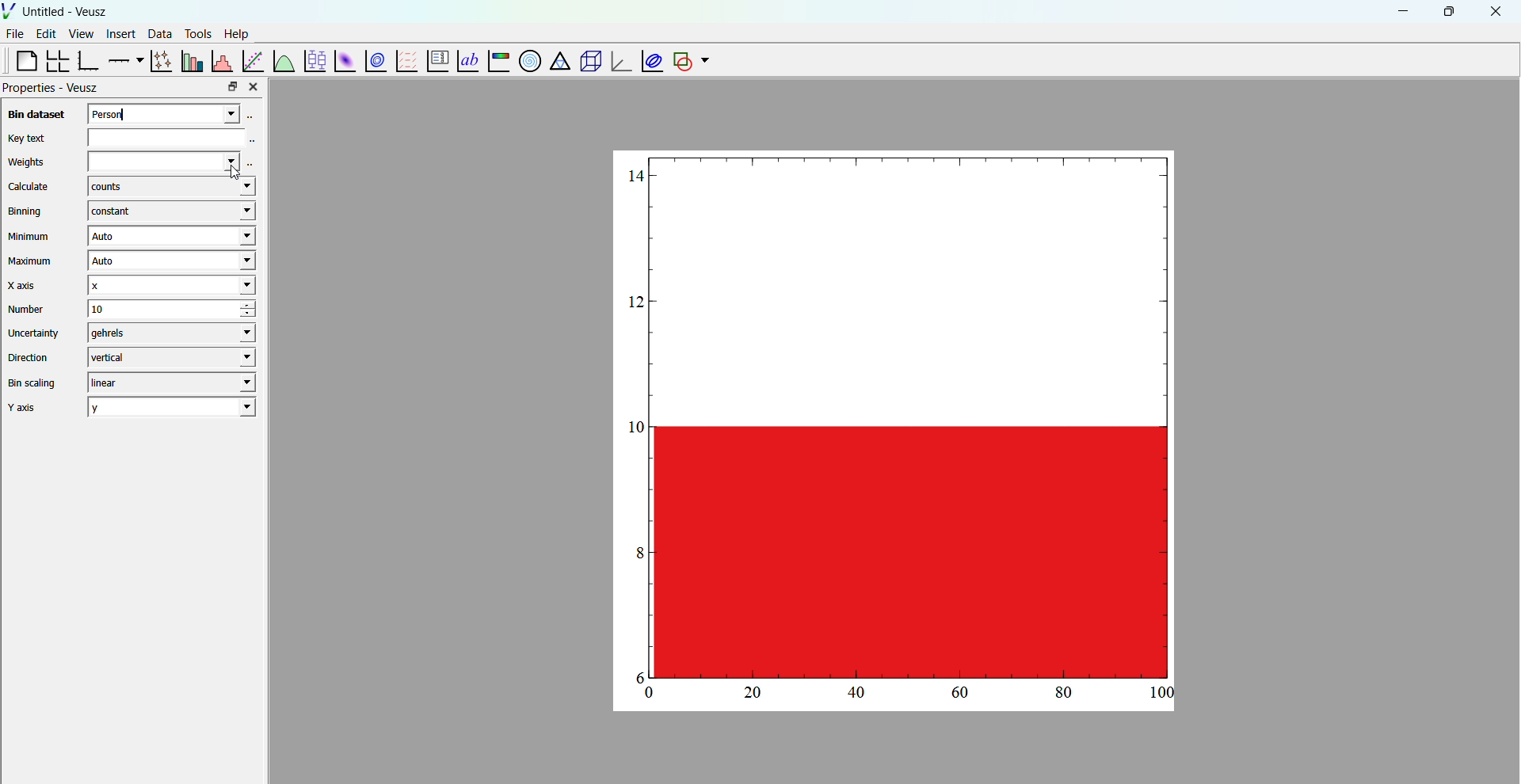 This screenshot has height=784, width=1521. Describe the element at coordinates (558, 63) in the screenshot. I see `ternary graph` at that location.